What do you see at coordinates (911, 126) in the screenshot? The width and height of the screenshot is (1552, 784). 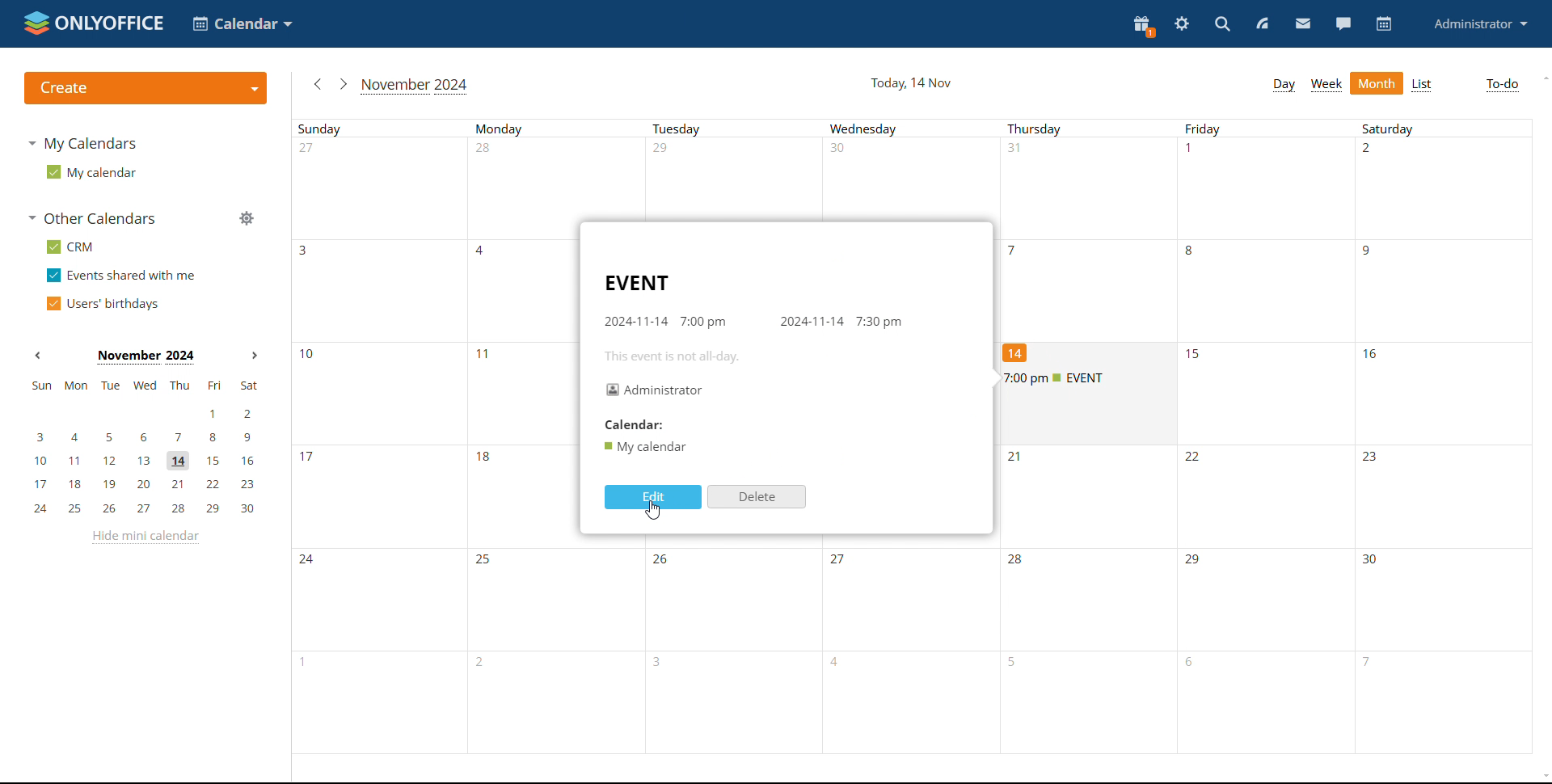 I see `week days` at bounding box center [911, 126].